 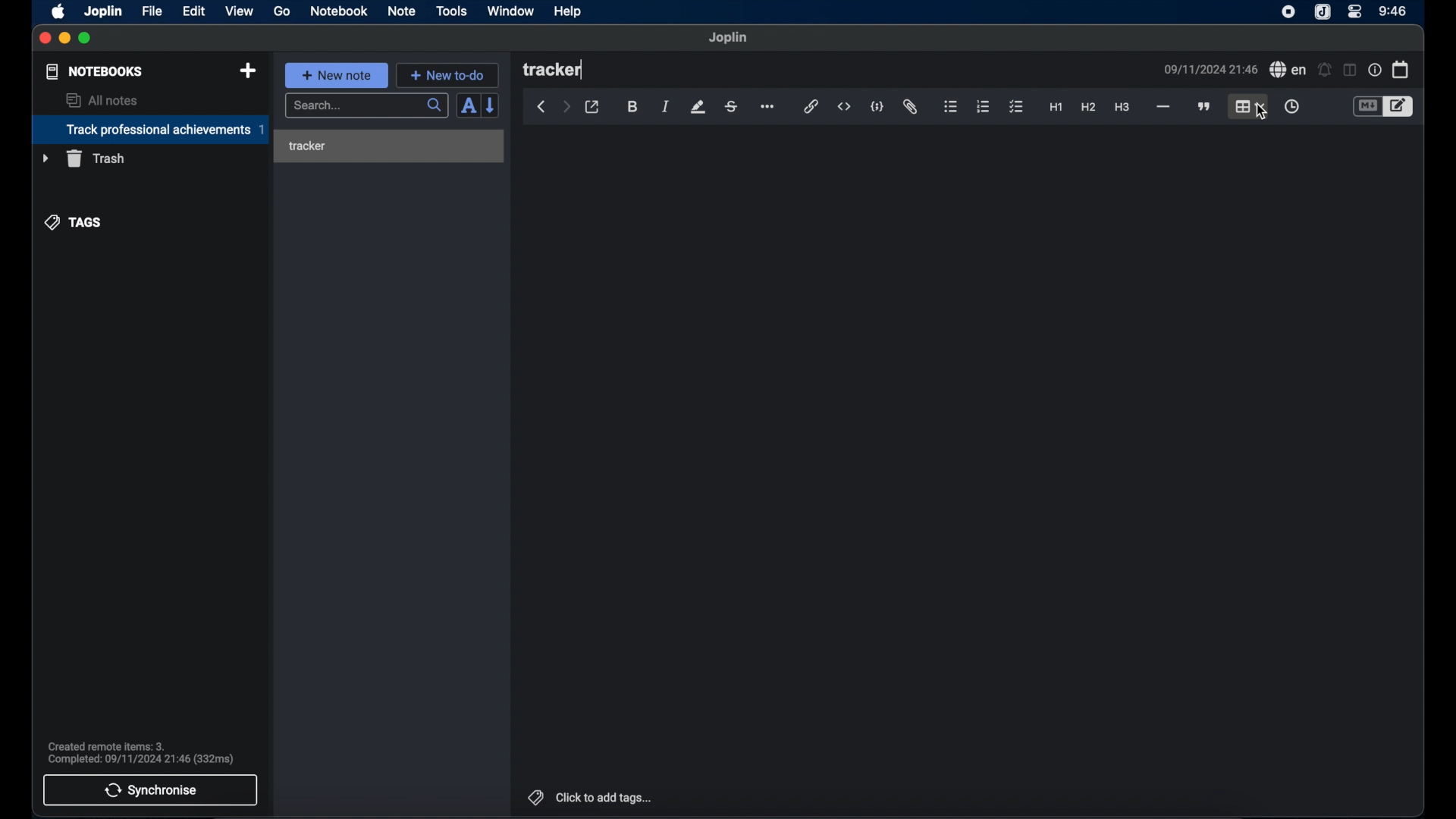 What do you see at coordinates (729, 38) in the screenshot?
I see `joplin` at bounding box center [729, 38].